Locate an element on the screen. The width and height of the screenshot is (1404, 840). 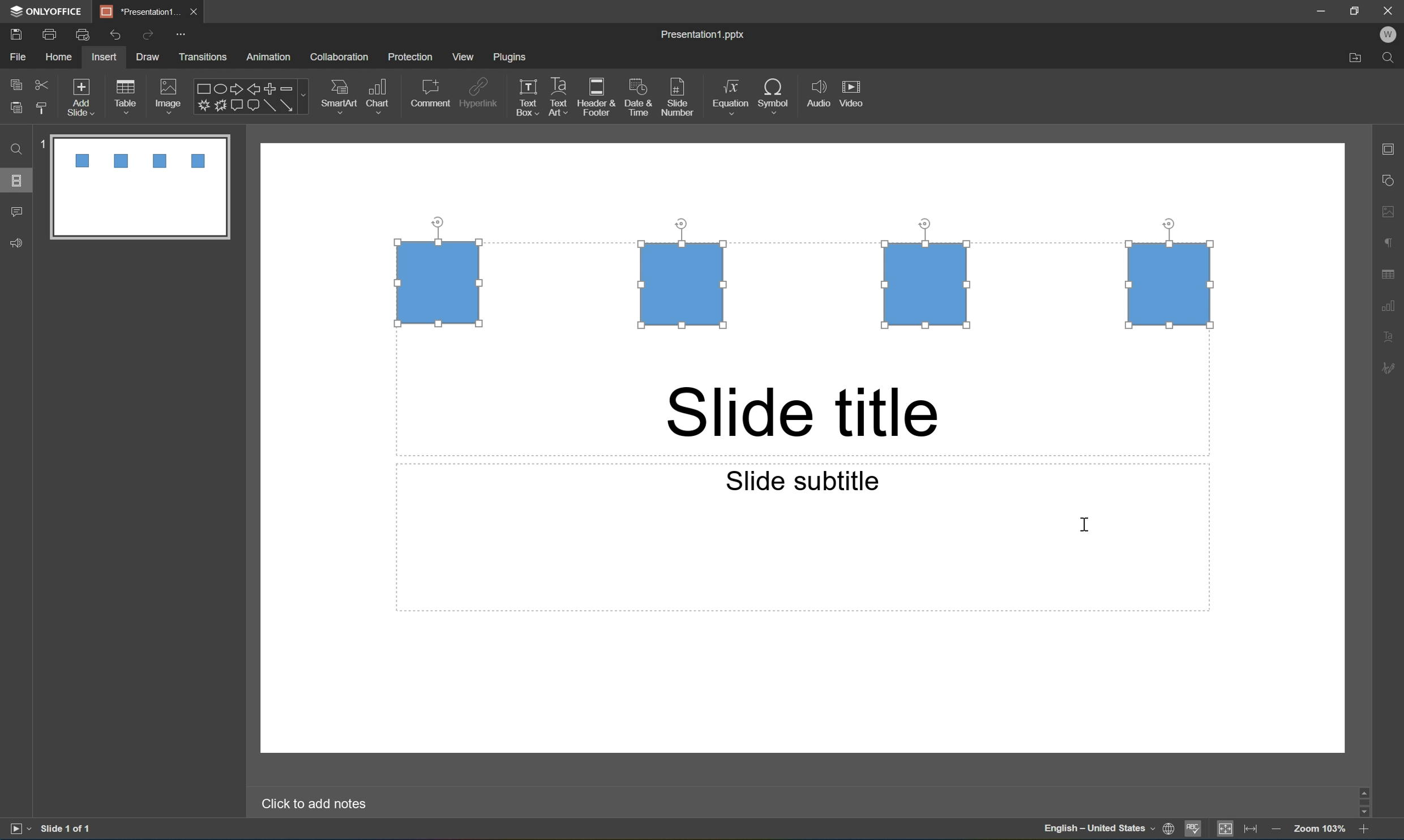
paste is located at coordinates (18, 109).